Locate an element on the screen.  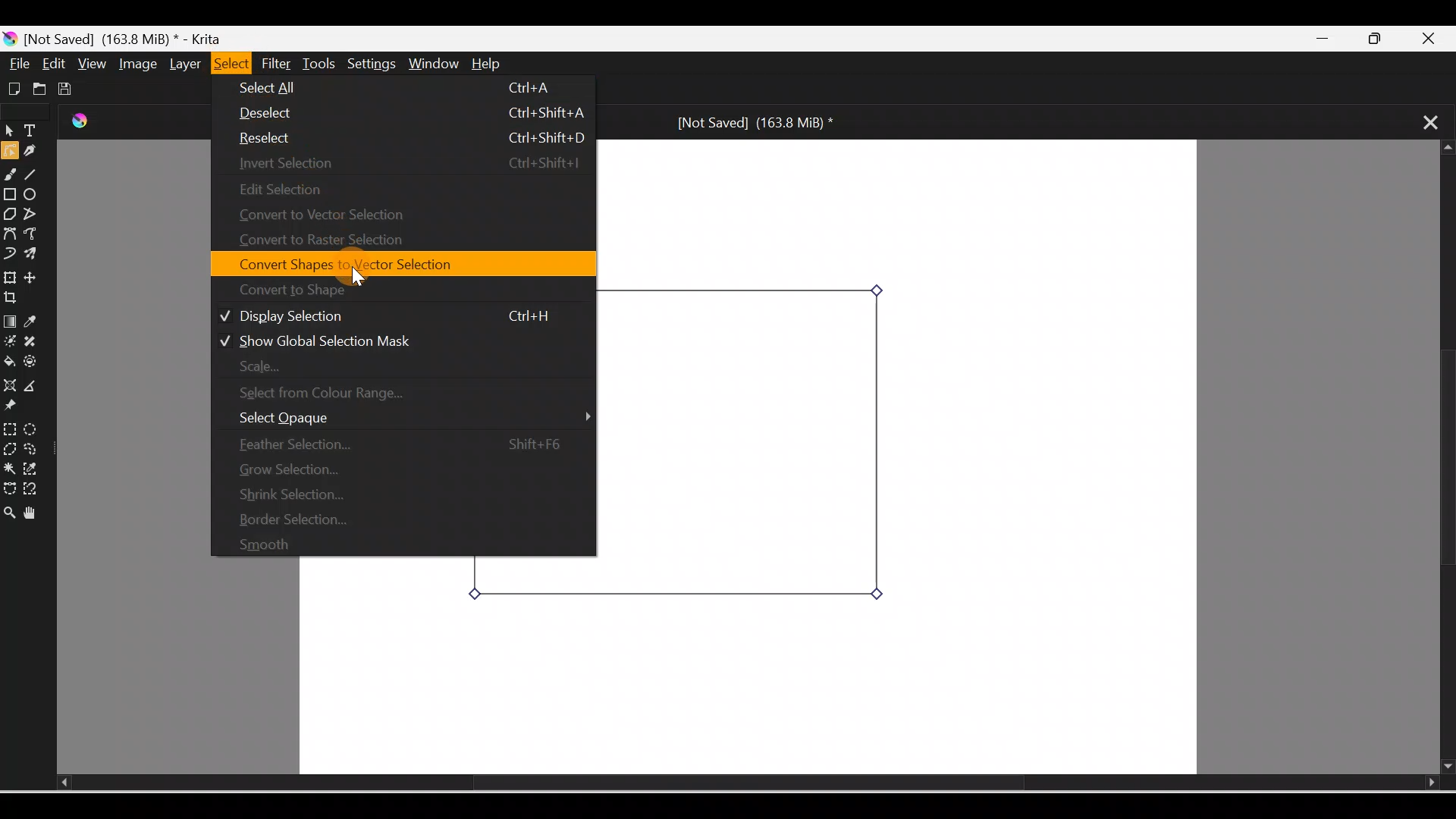
Display selection is located at coordinates (402, 315).